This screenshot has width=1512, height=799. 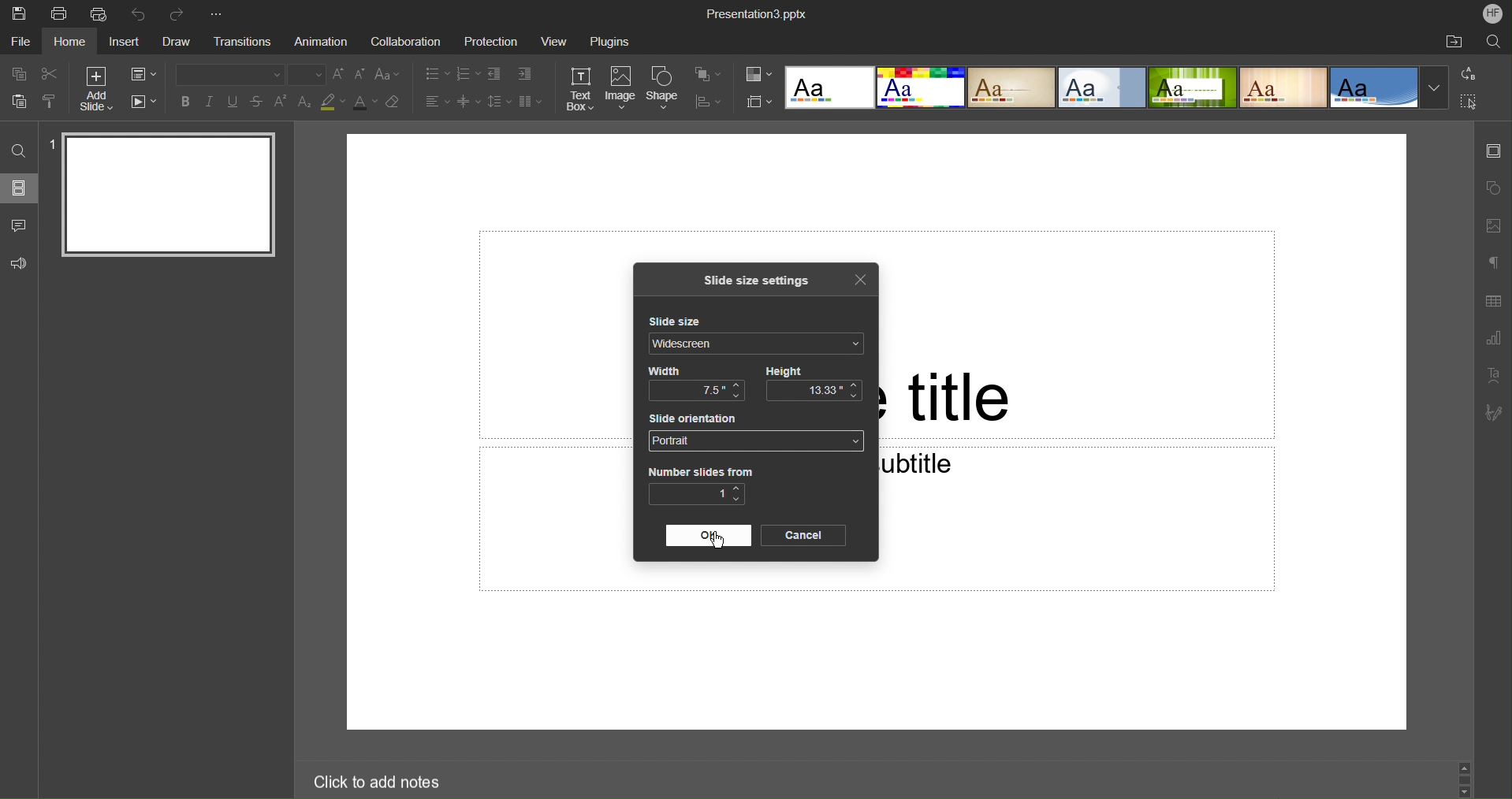 What do you see at coordinates (1493, 301) in the screenshot?
I see `Table` at bounding box center [1493, 301].